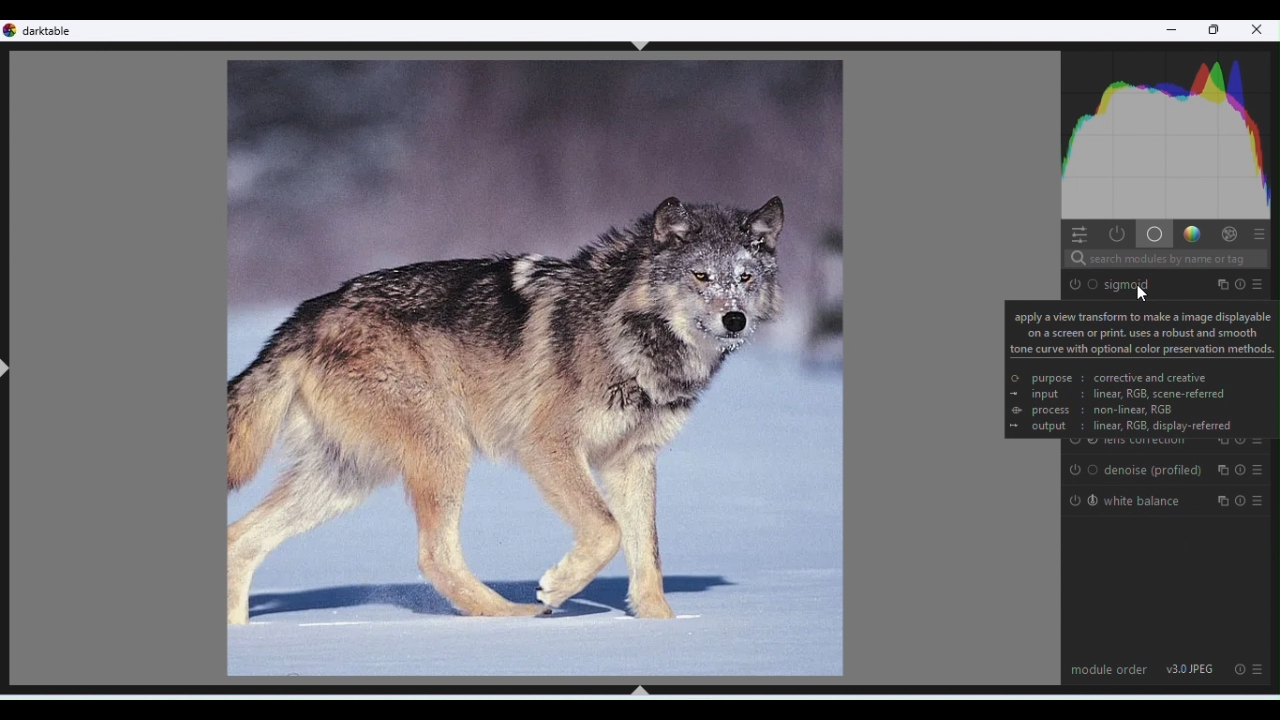 The image size is (1280, 720). Describe the element at coordinates (1133, 427) in the screenshot. I see `output : linear, RGB, display-referred` at that location.